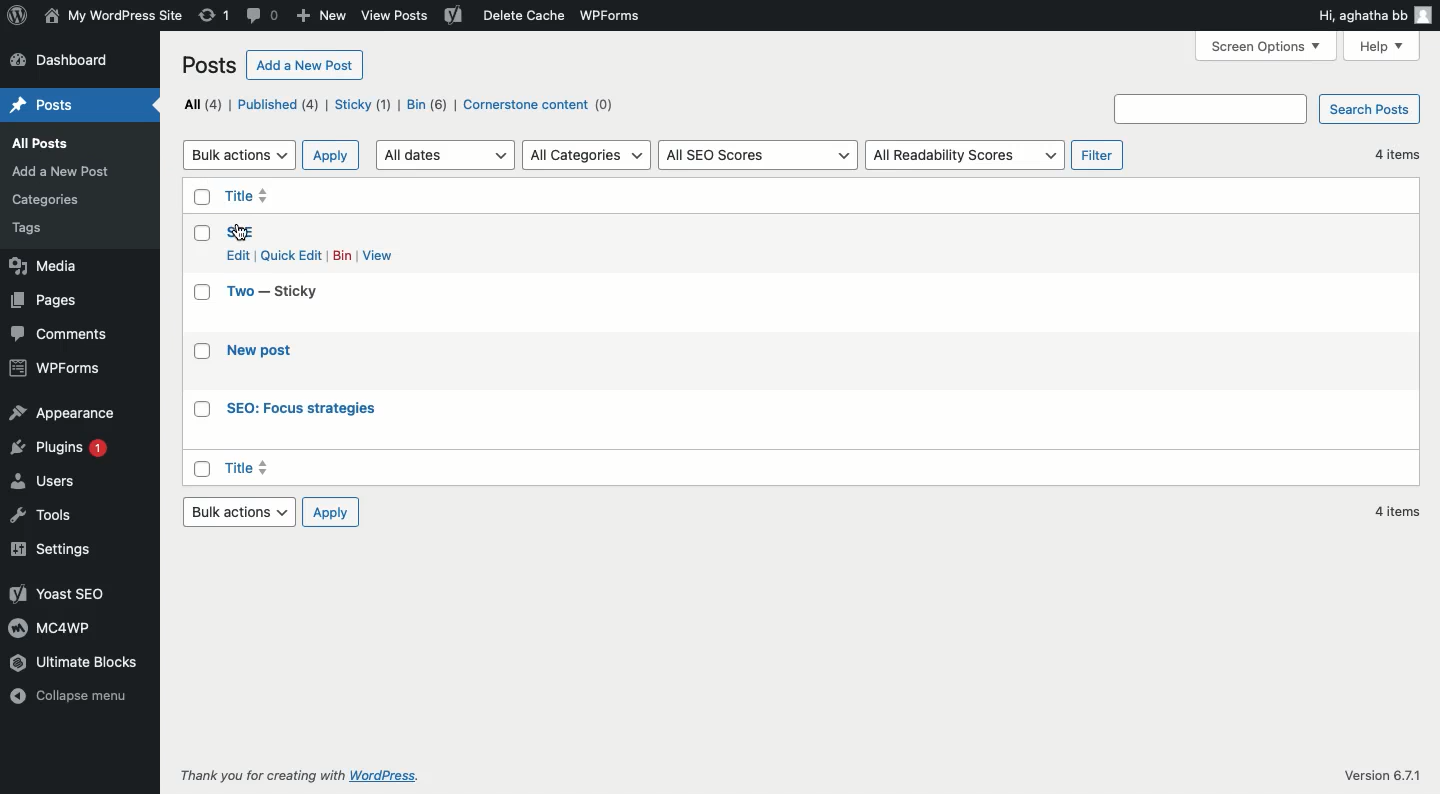 Image resolution: width=1440 pixels, height=794 pixels. Describe the element at coordinates (52, 369) in the screenshot. I see `WPForms` at that location.